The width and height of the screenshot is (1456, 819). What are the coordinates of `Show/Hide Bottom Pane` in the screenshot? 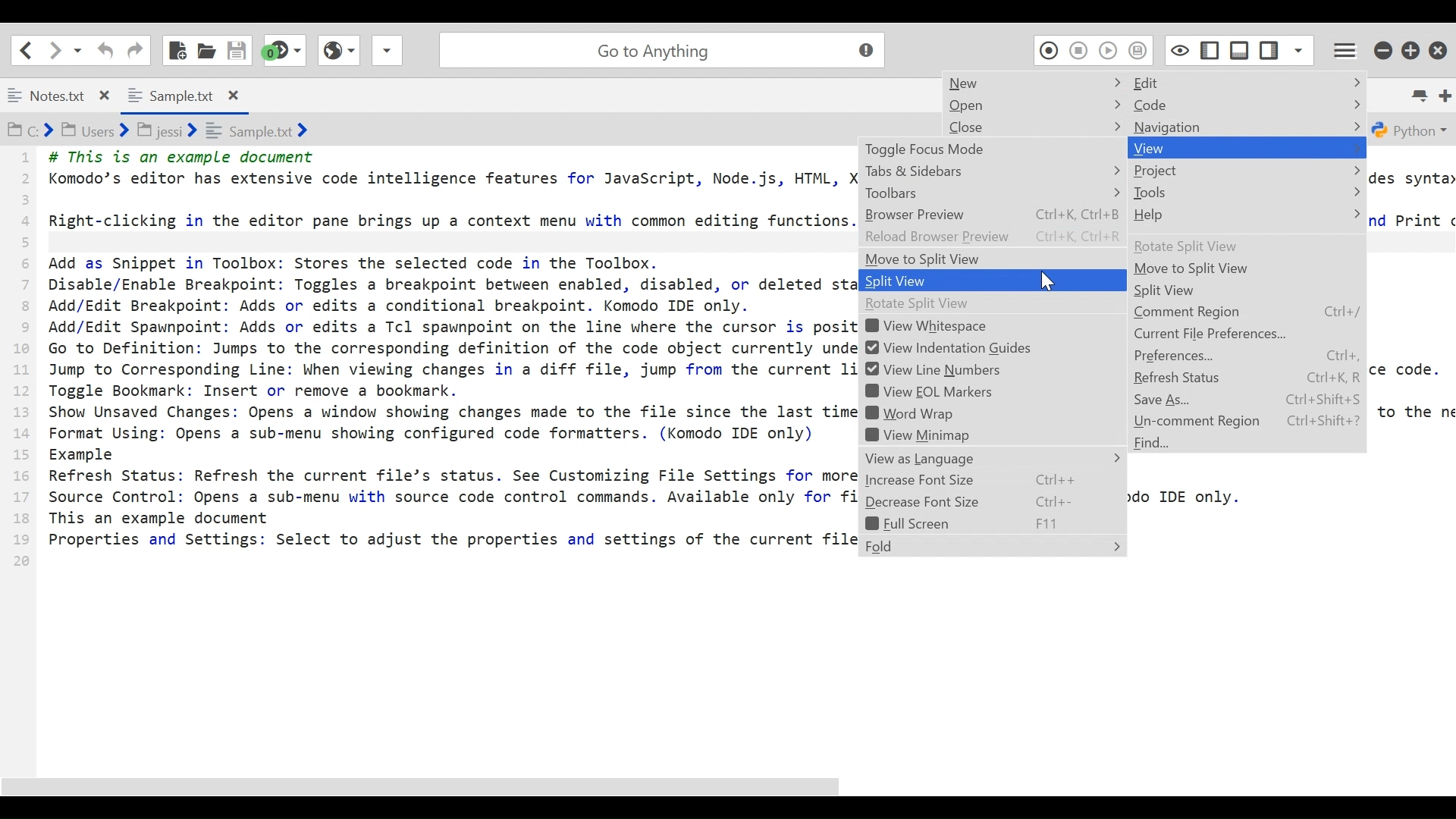 It's located at (1241, 49).